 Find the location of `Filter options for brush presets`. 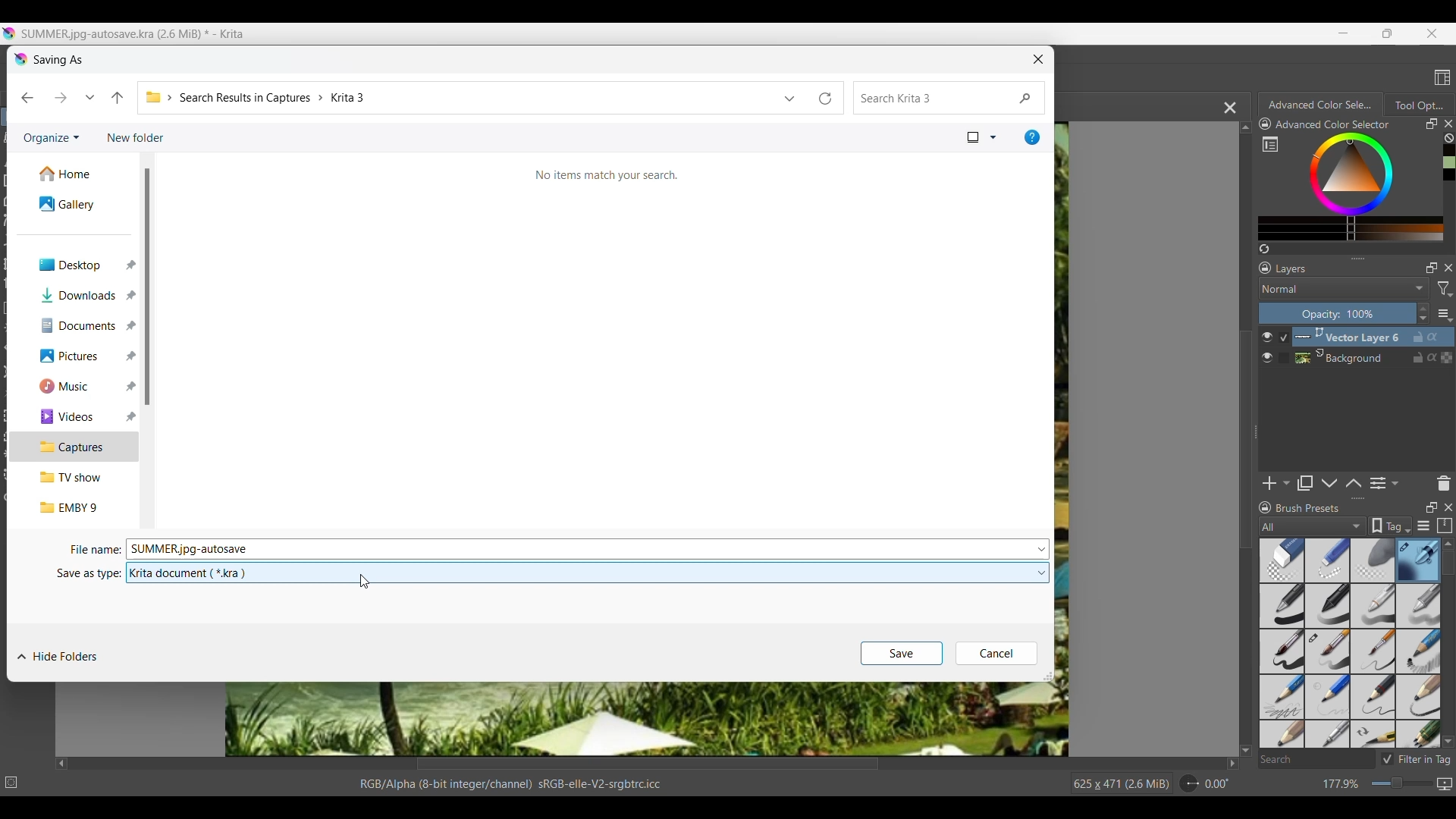

Filter options for brush presets is located at coordinates (1313, 526).